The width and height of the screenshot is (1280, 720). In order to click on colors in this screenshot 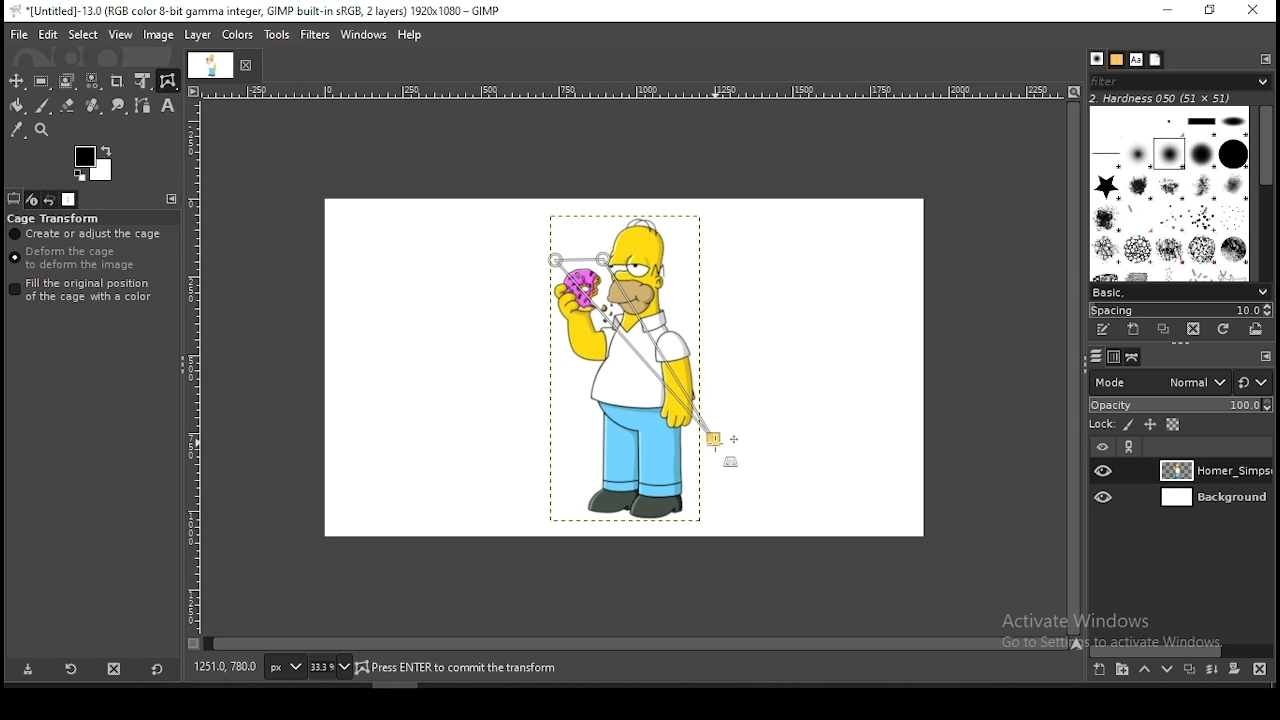, I will do `click(237, 35)`.